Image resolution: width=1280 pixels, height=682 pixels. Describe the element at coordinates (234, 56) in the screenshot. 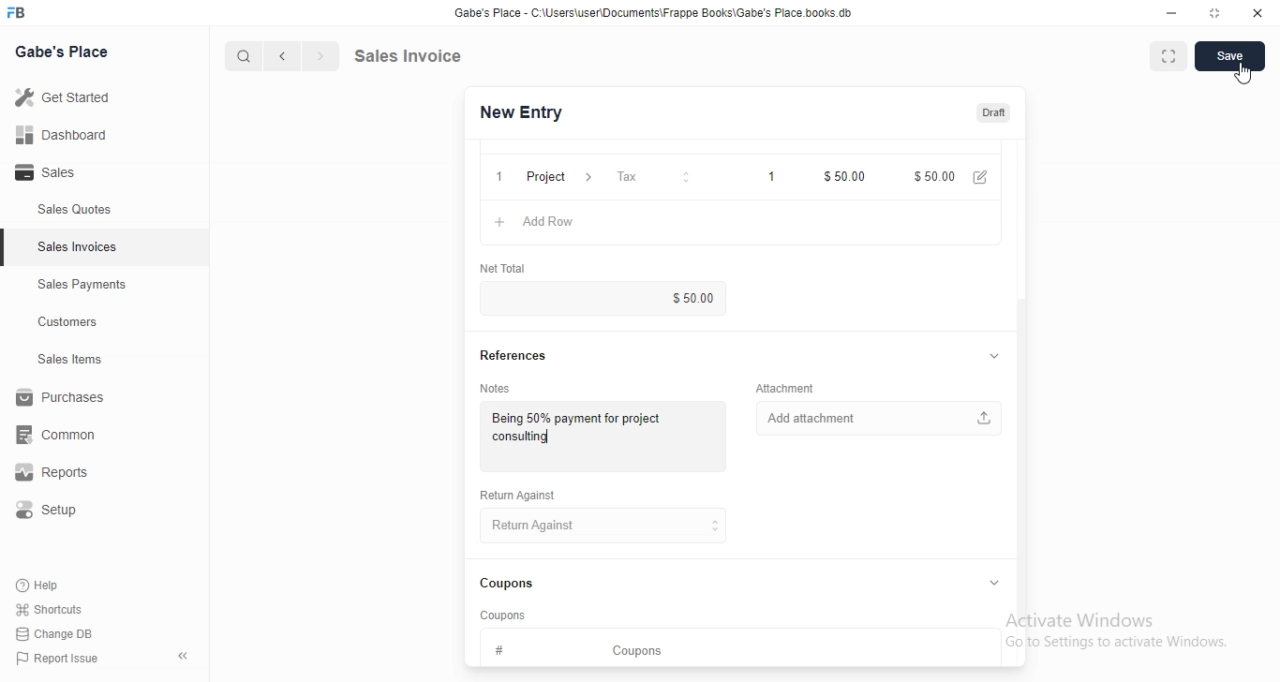

I see `cursor` at that location.